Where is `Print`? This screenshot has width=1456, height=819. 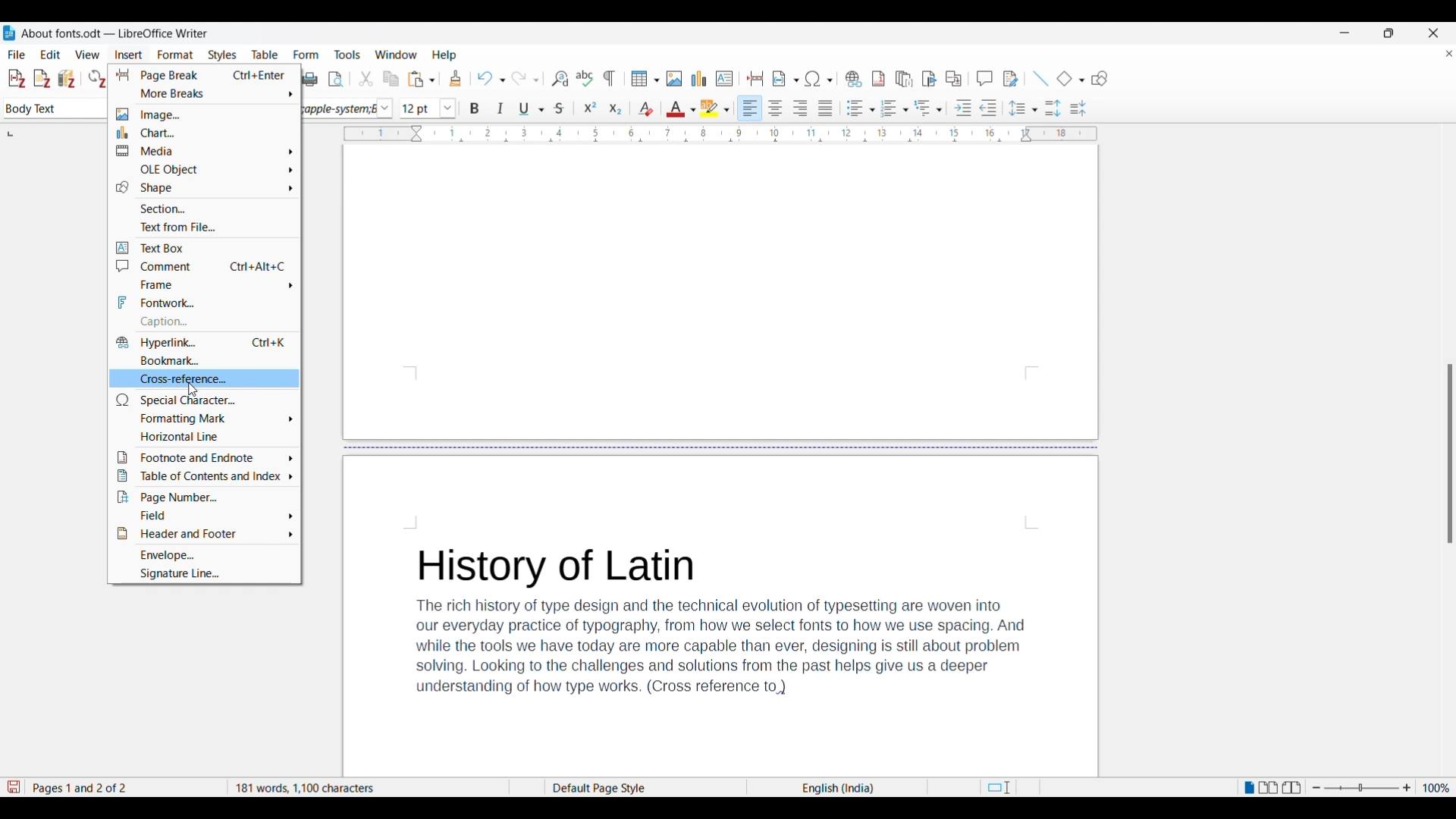
Print is located at coordinates (309, 80).